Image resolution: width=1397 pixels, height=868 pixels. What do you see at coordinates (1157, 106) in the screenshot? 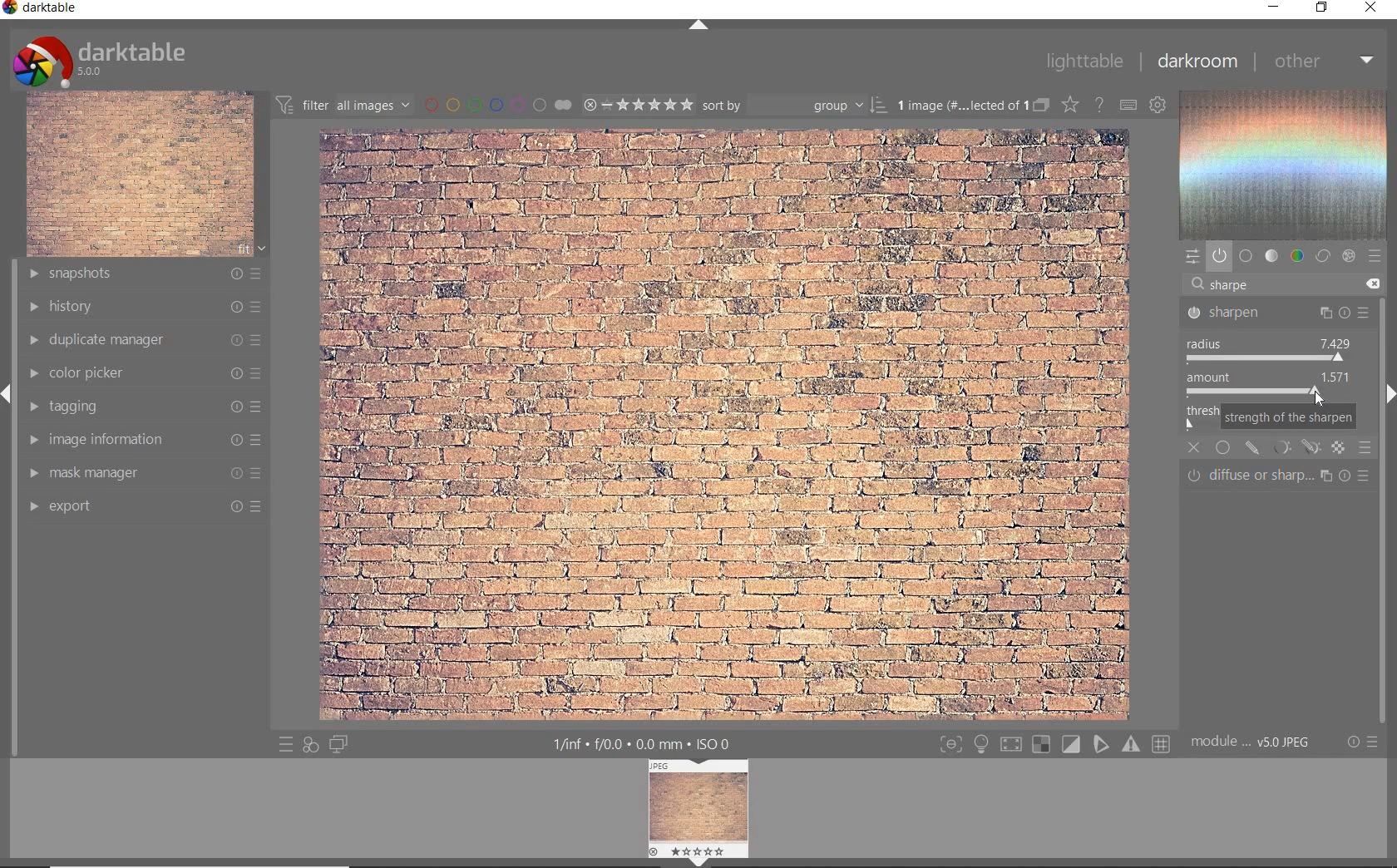
I see `show global preference` at bounding box center [1157, 106].